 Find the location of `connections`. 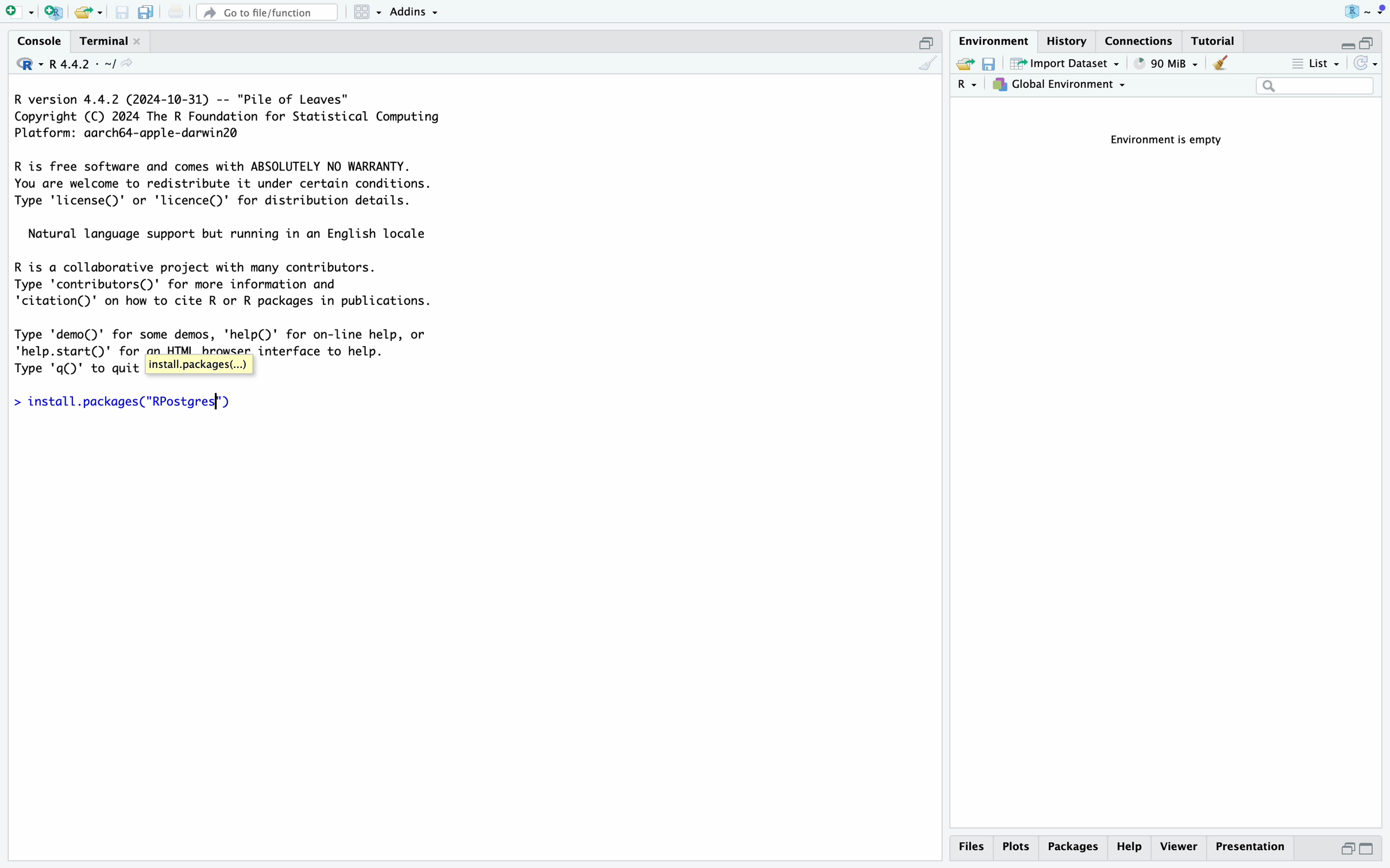

connections is located at coordinates (1142, 40).